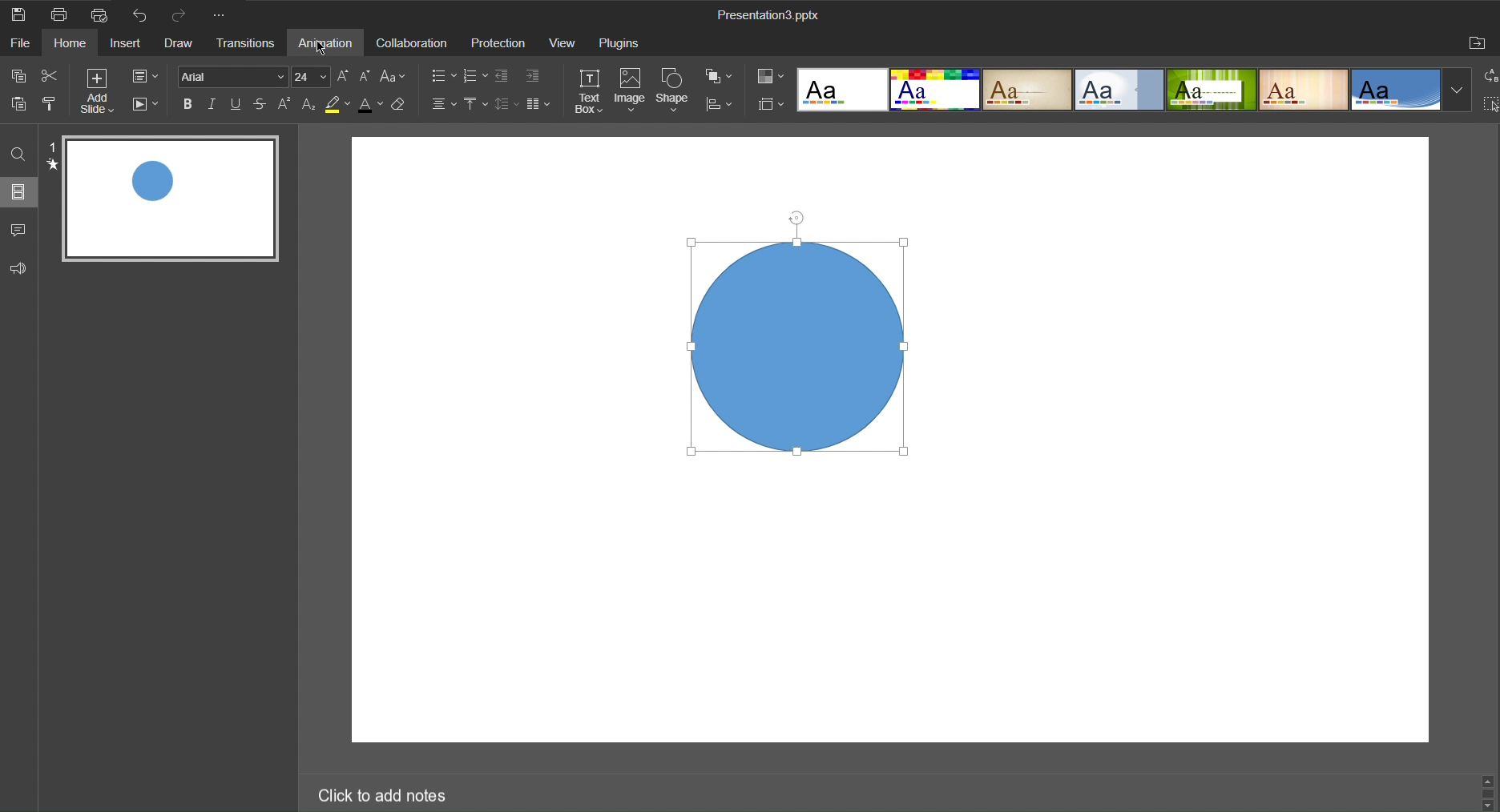  I want to click on Lists, so click(439, 74).